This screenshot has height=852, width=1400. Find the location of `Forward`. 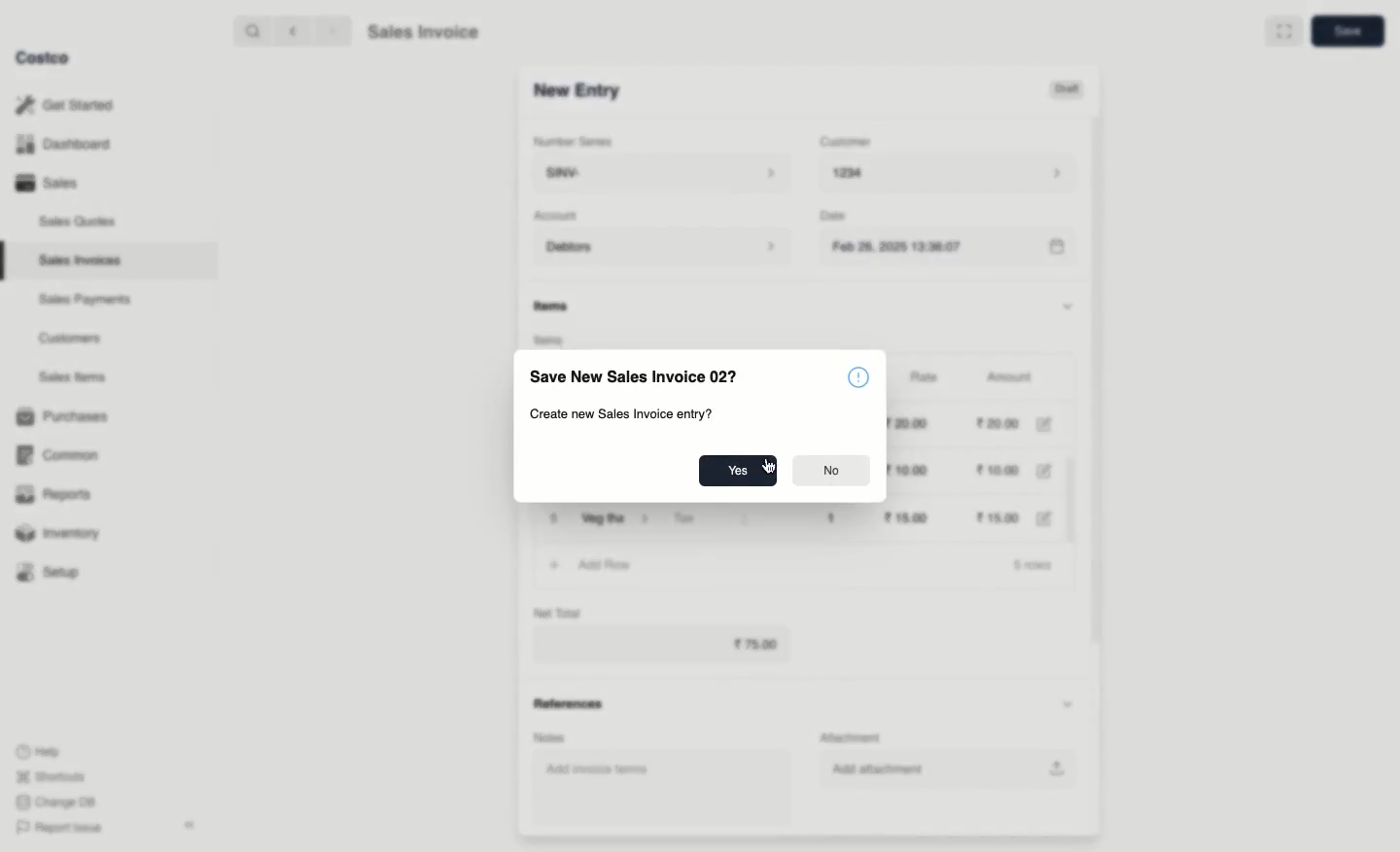

Forward is located at coordinates (332, 32).